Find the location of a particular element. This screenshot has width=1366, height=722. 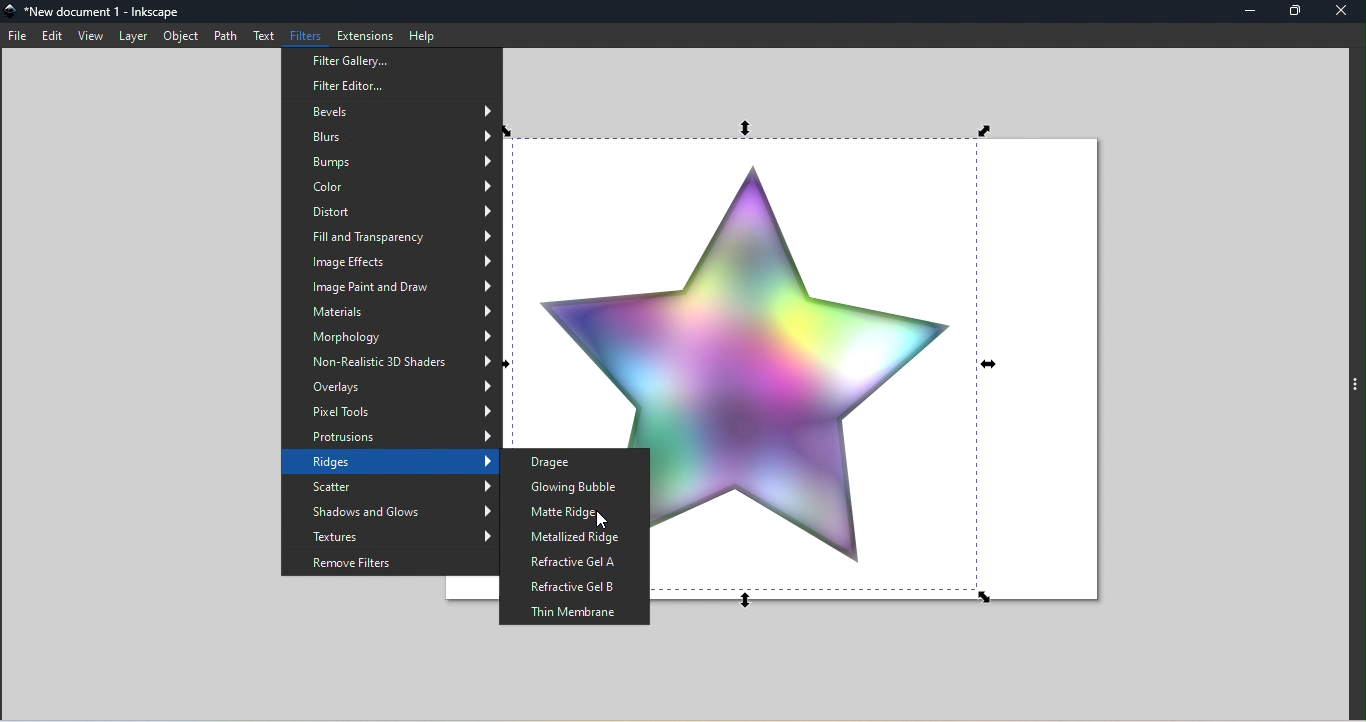

Refractive gel B is located at coordinates (577, 587).